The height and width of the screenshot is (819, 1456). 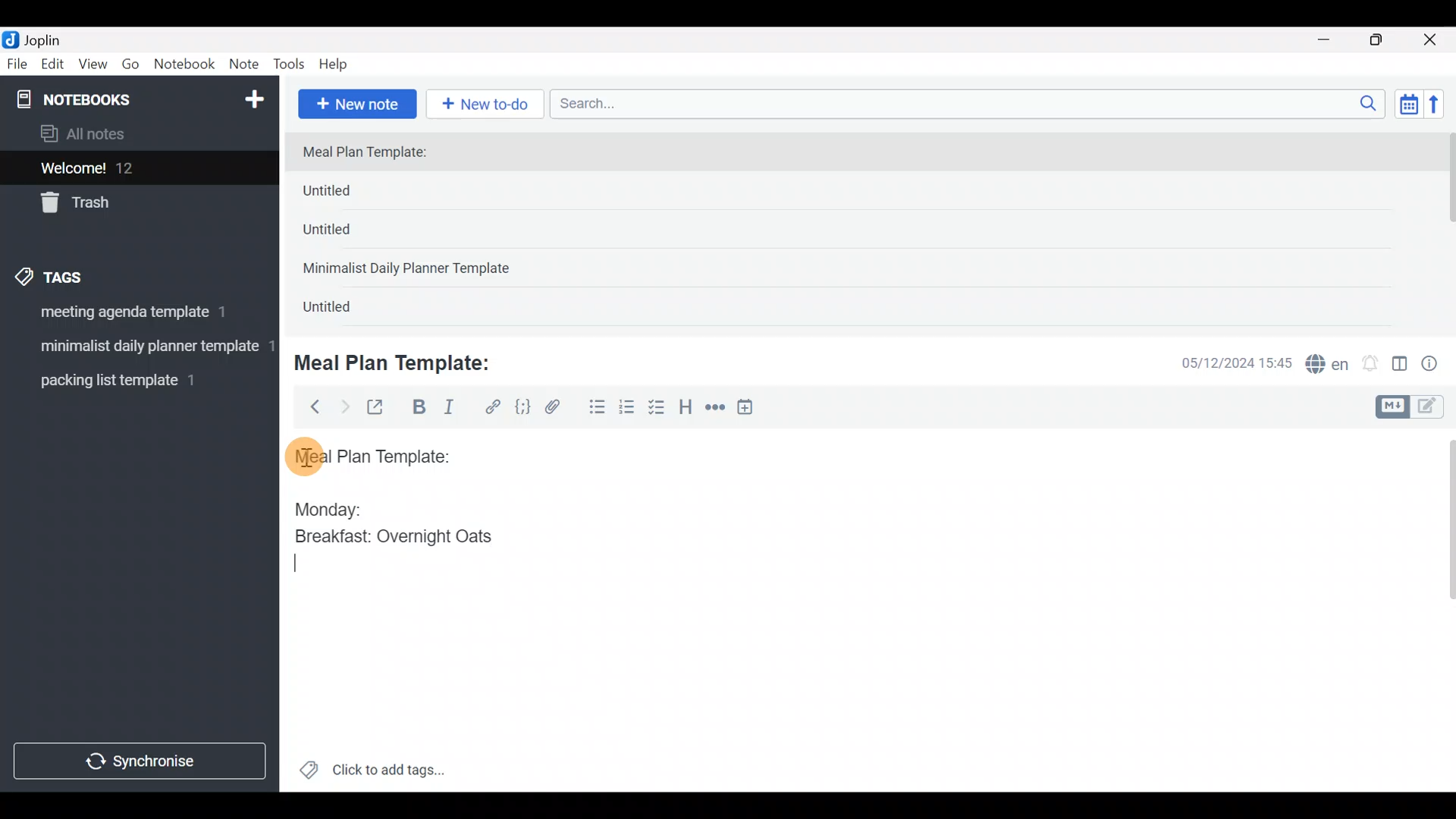 What do you see at coordinates (1328, 366) in the screenshot?
I see `Spelling` at bounding box center [1328, 366].